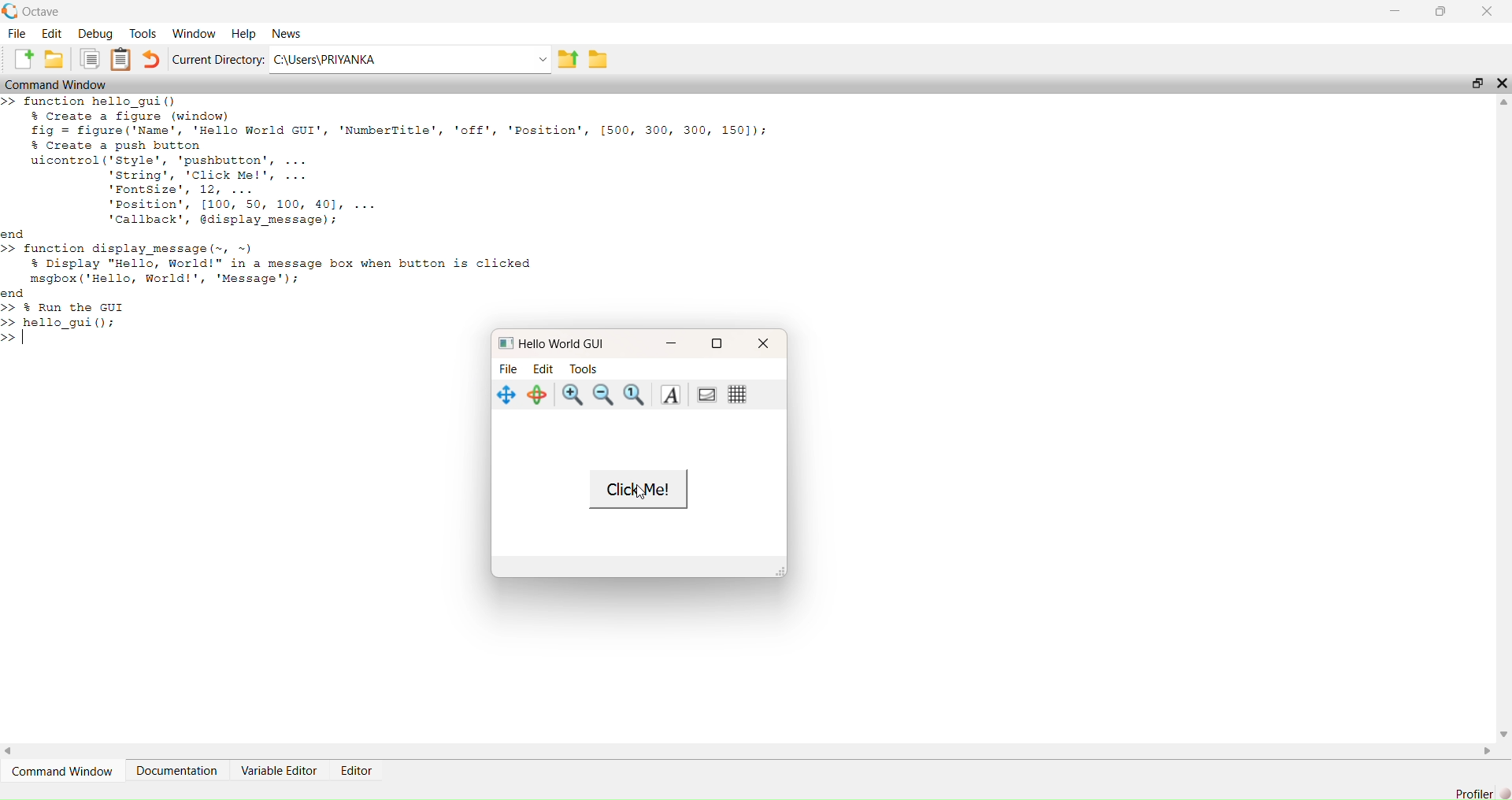 This screenshot has height=800, width=1512. What do you see at coordinates (543, 368) in the screenshot?
I see `Edit` at bounding box center [543, 368].